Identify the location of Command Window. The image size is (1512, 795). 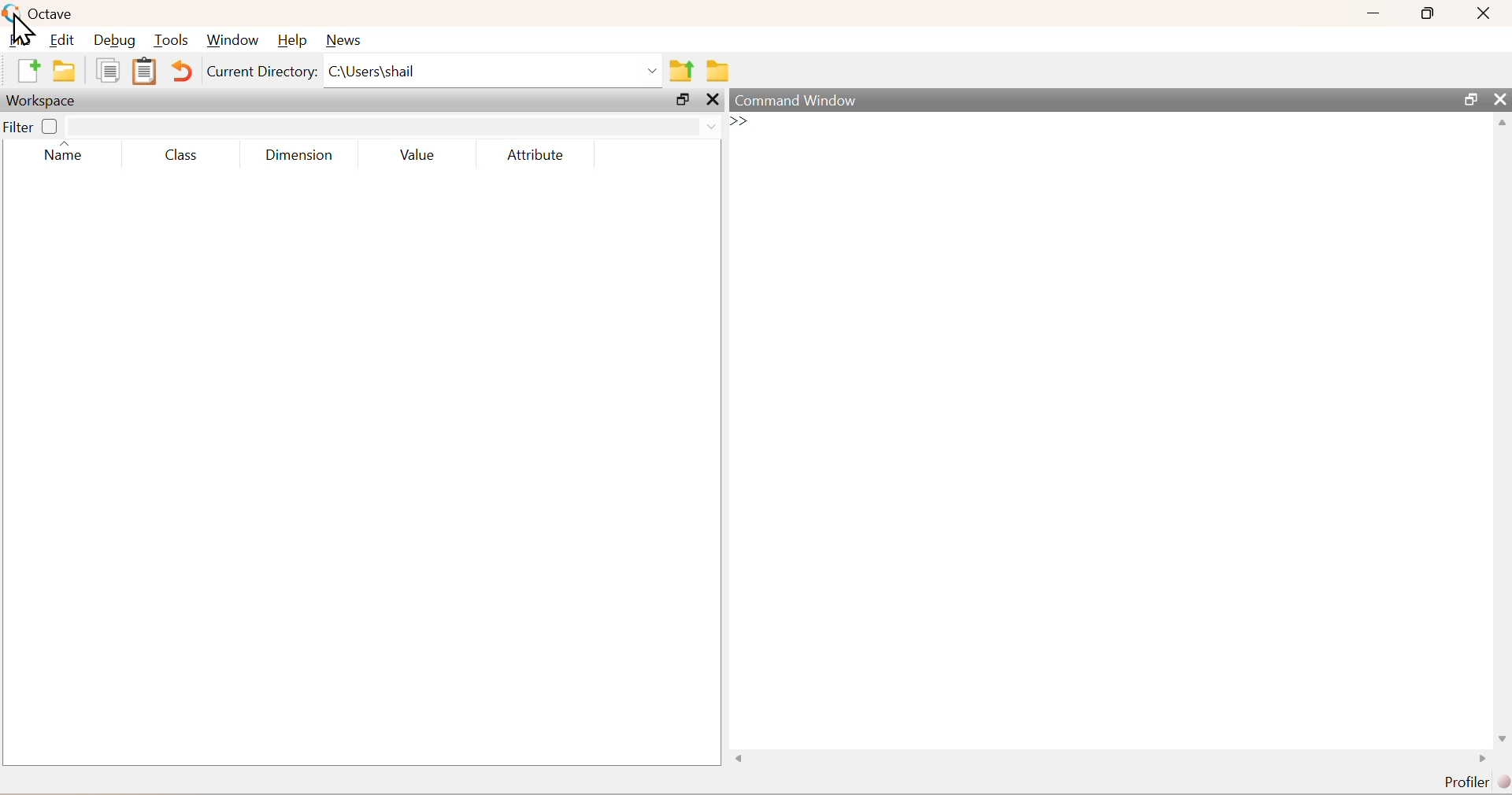
(796, 100).